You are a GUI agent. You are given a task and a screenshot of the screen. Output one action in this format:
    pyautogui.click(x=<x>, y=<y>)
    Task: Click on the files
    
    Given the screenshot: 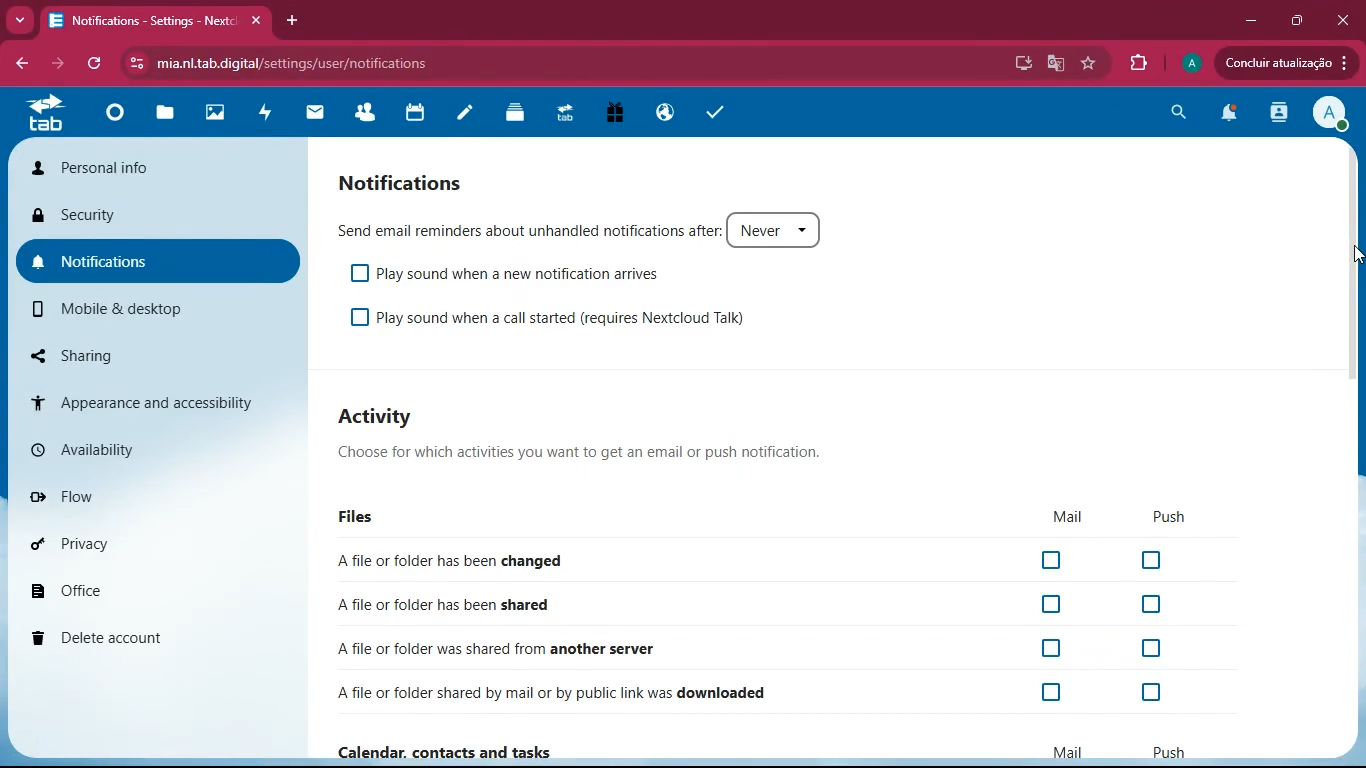 What is the action you would take?
    pyautogui.click(x=170, y=114)
    